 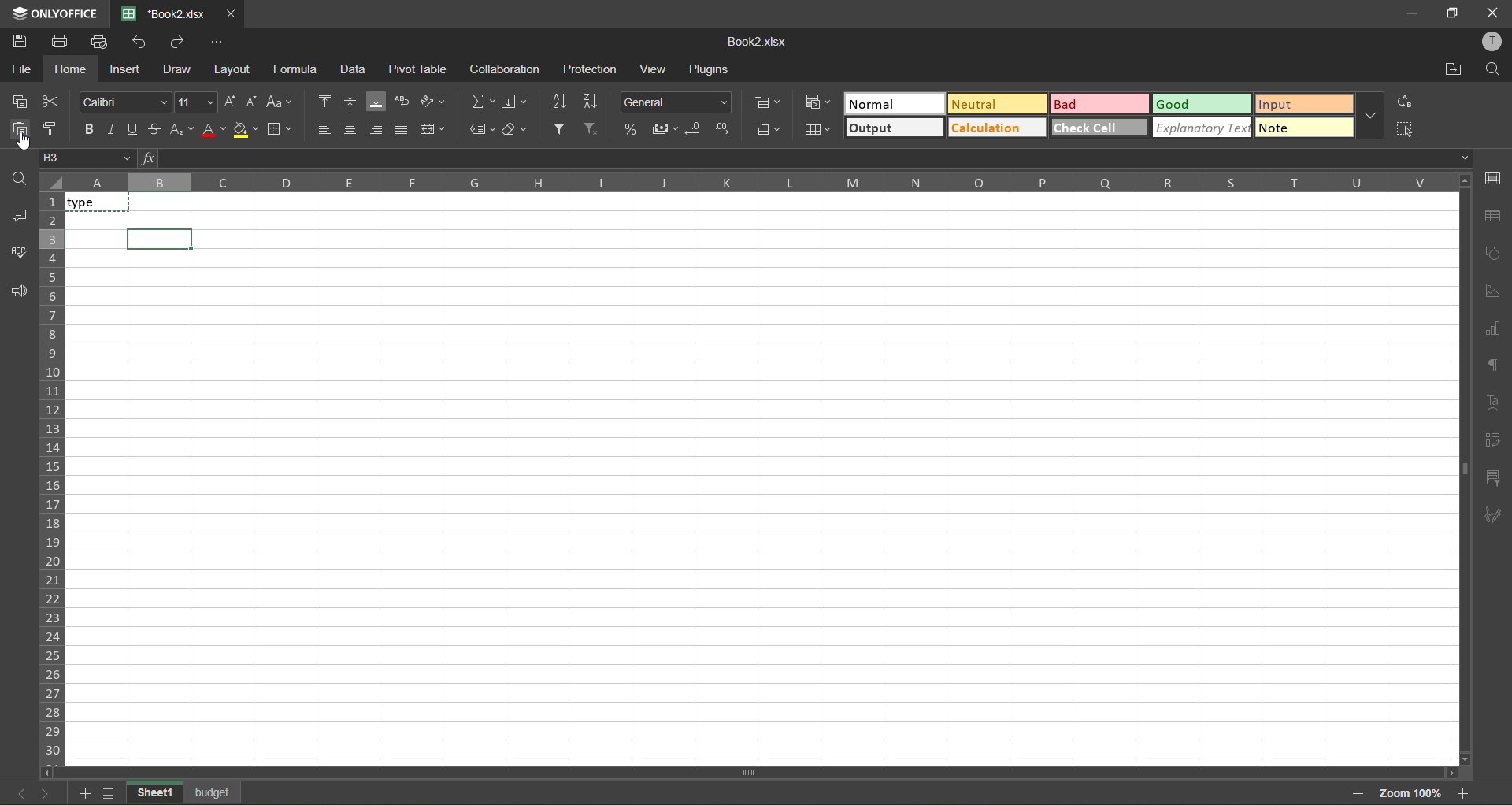 I want to click on draw, so click(x=176, y=70).